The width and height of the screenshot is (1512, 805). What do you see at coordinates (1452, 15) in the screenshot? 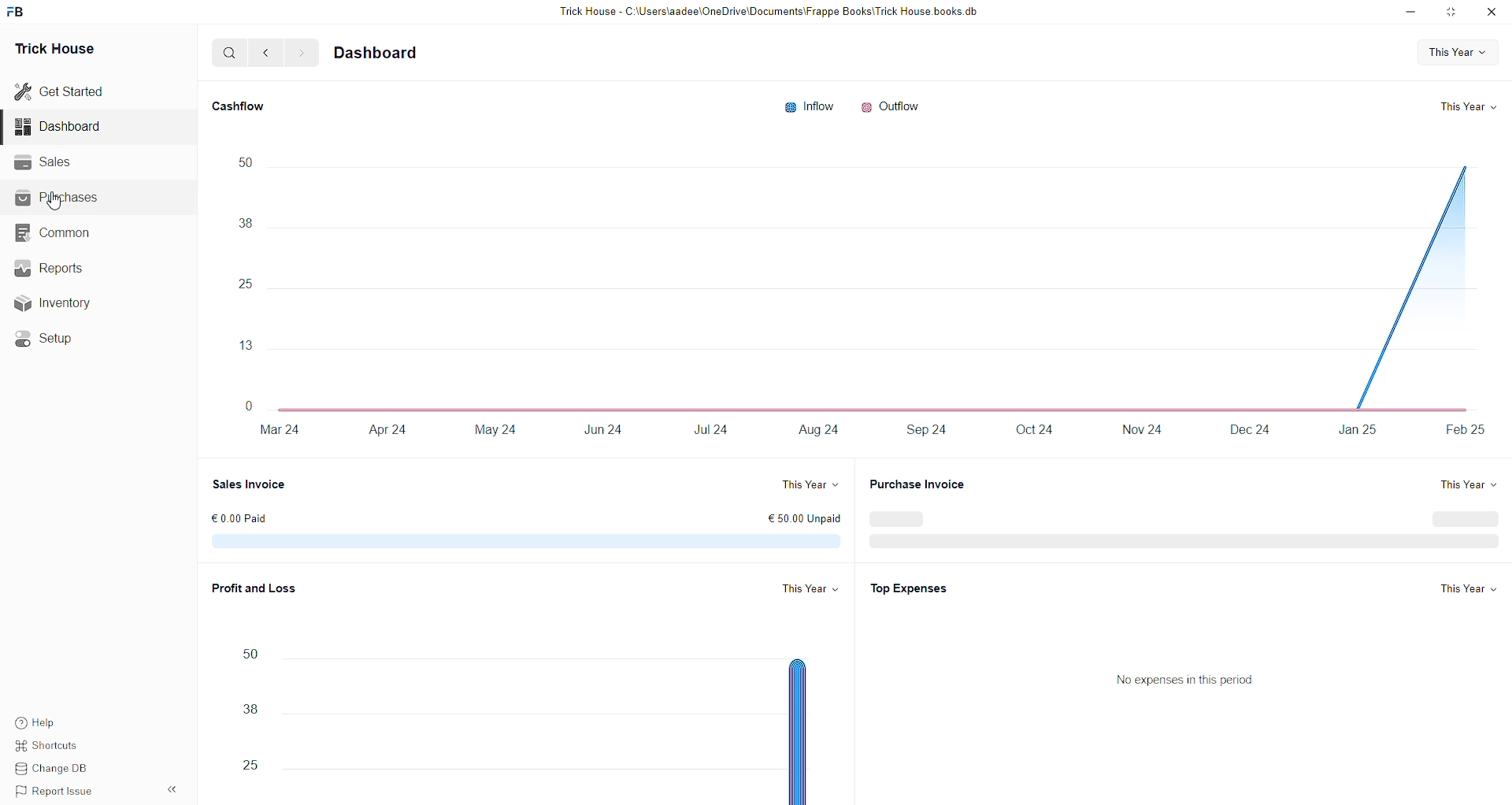
I see `Maximize` at bounding box center [1452, 15].